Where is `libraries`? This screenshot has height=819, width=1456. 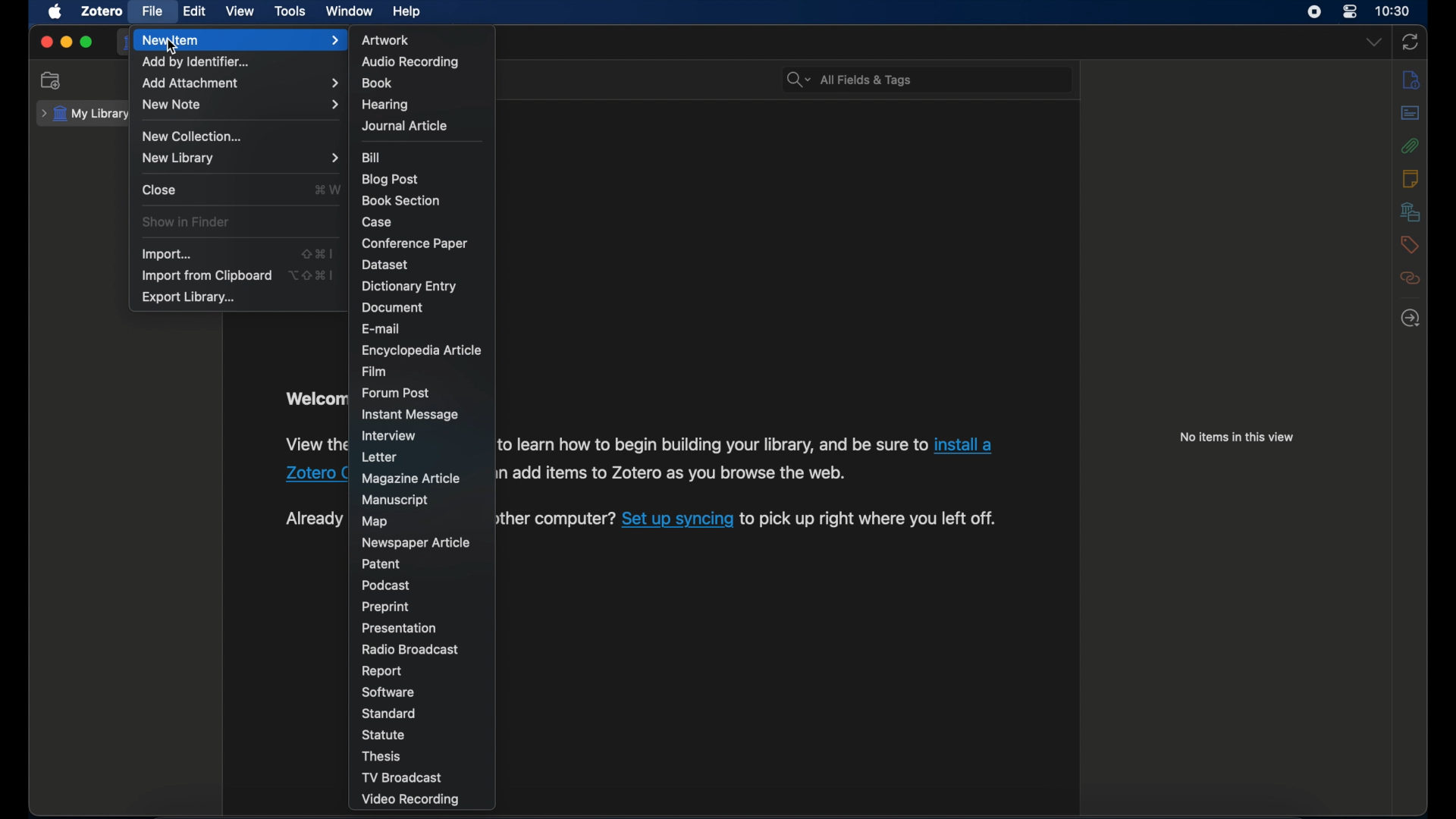 libraries is located at coordinates (1411, 212).